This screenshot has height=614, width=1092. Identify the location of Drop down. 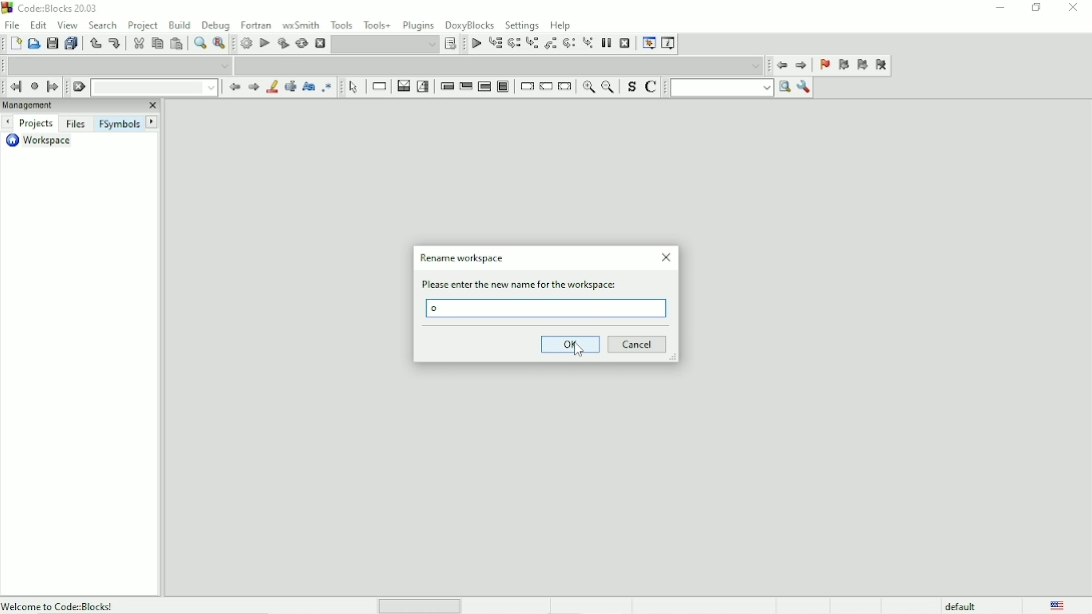
(501, 65).